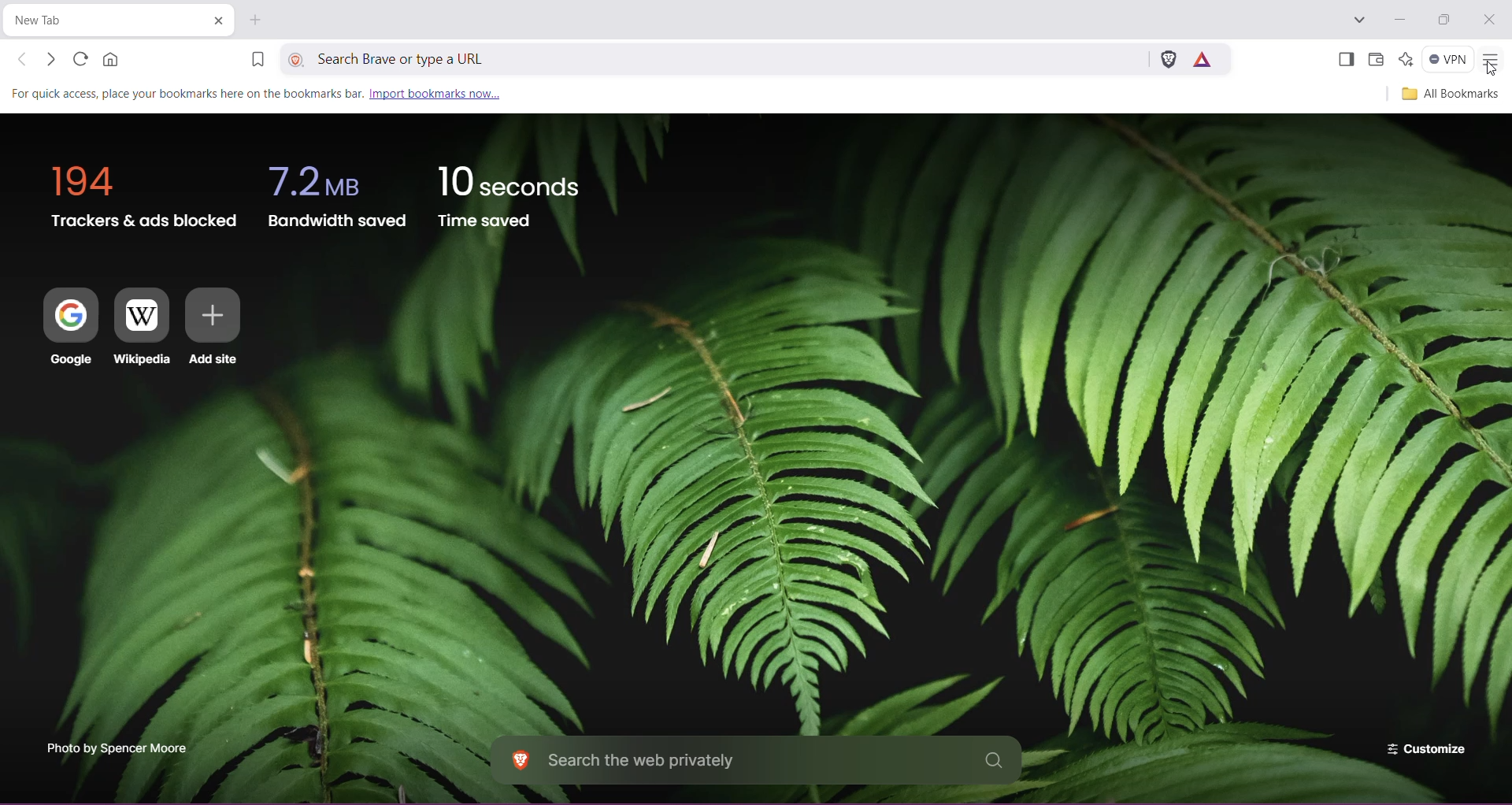  What do you see at coordinates (217, 21) in the screenshot?
I see `Close Tab` at bounding box center [217, 21].